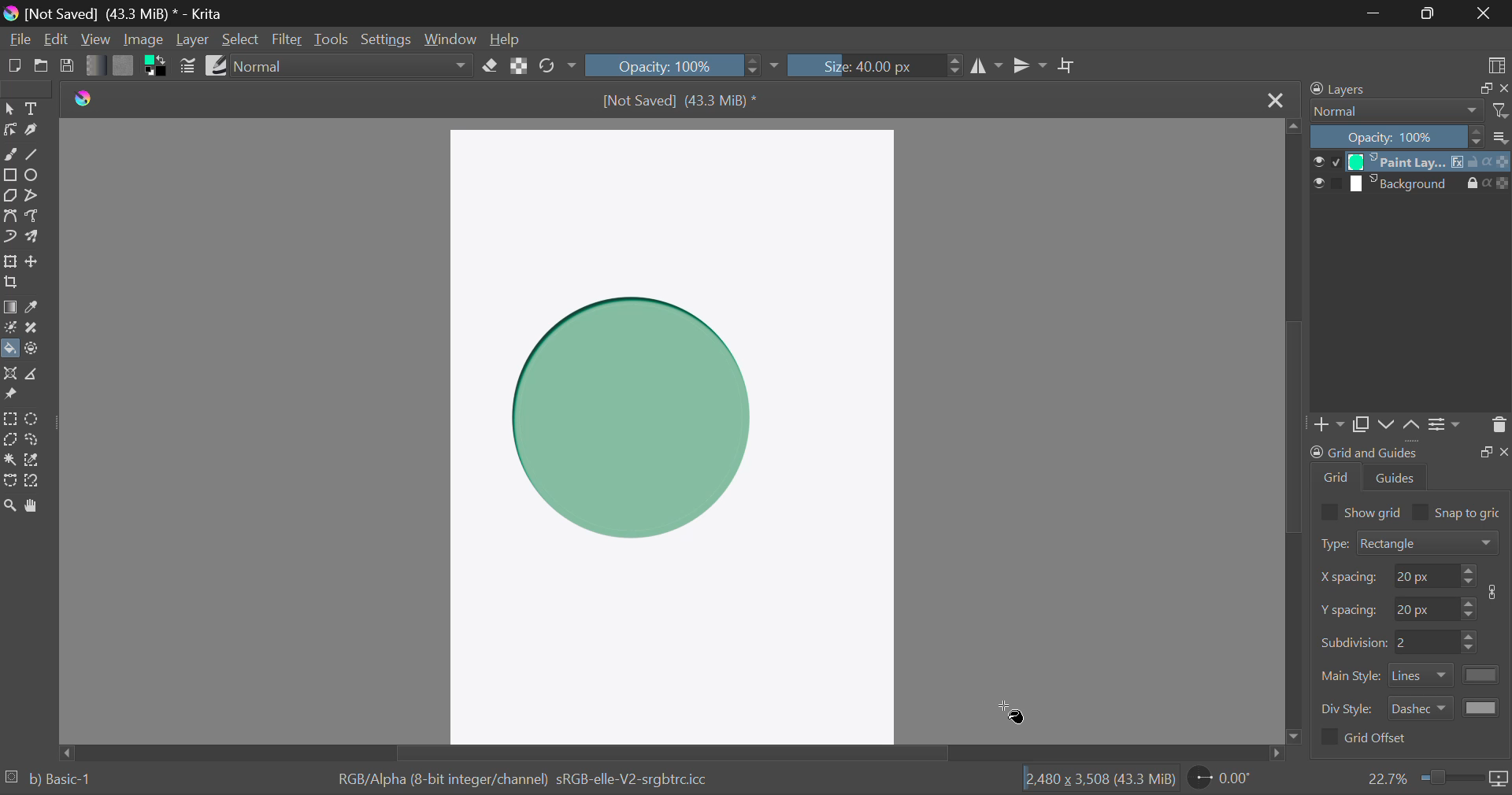 The image size is (1512, 795). Describe the element at coordinates (31, 175) in the screenshot. I see `Ellipses Selected ` at that location.